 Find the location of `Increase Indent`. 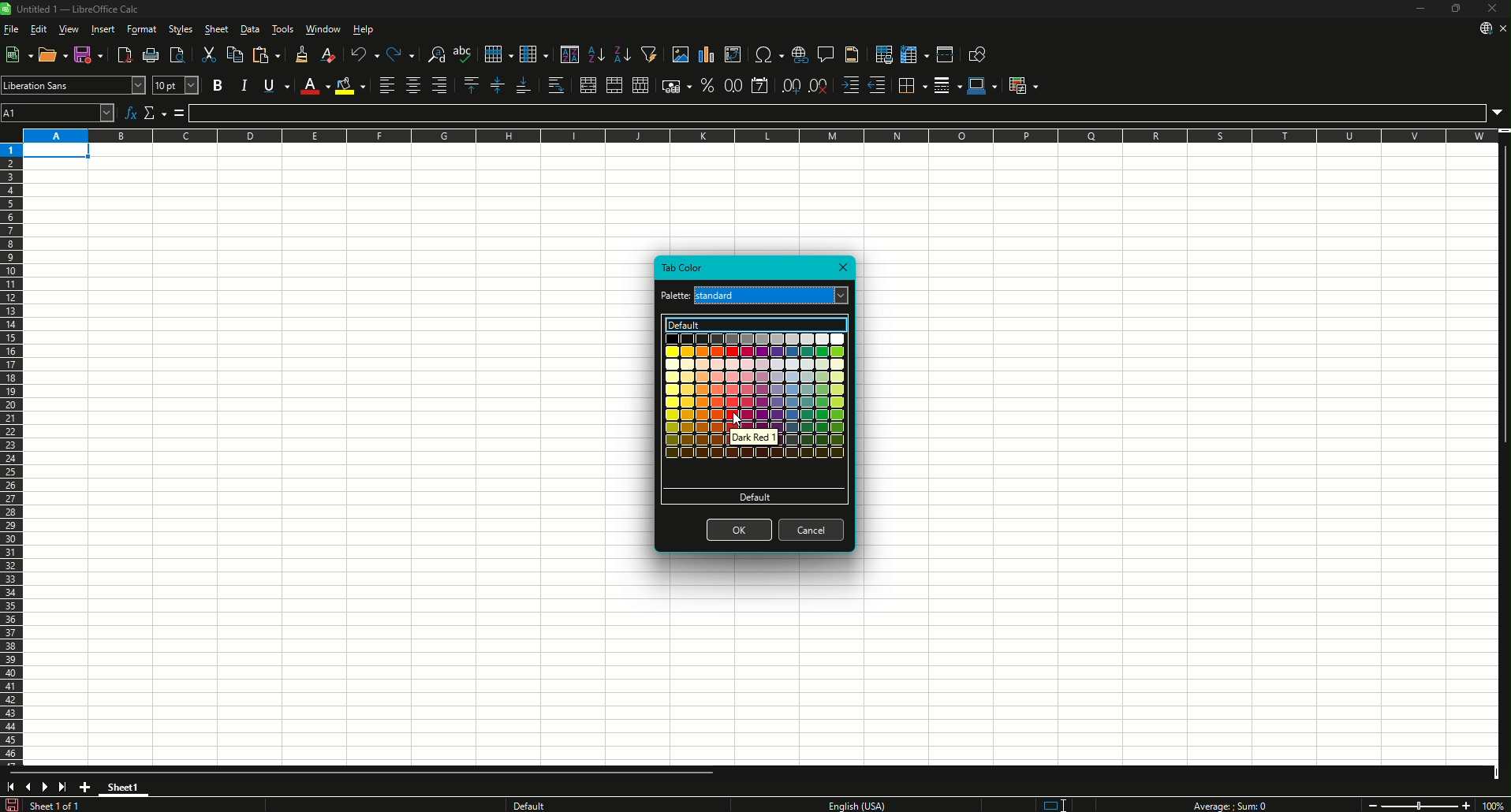

Increase Indent is located at coordinates (851, 85).